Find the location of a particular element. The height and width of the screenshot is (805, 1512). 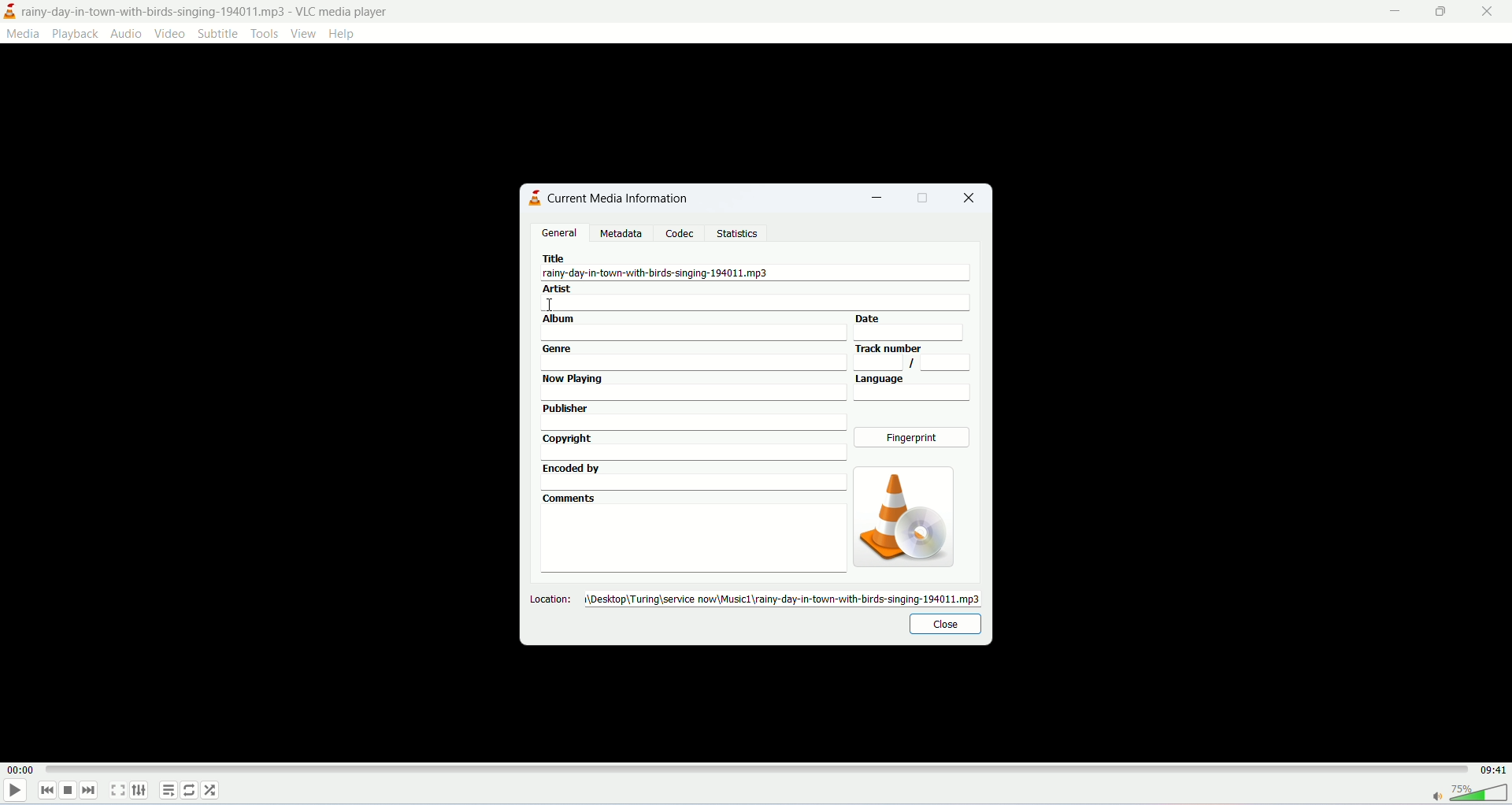

close is located at coordinates (944, 624).